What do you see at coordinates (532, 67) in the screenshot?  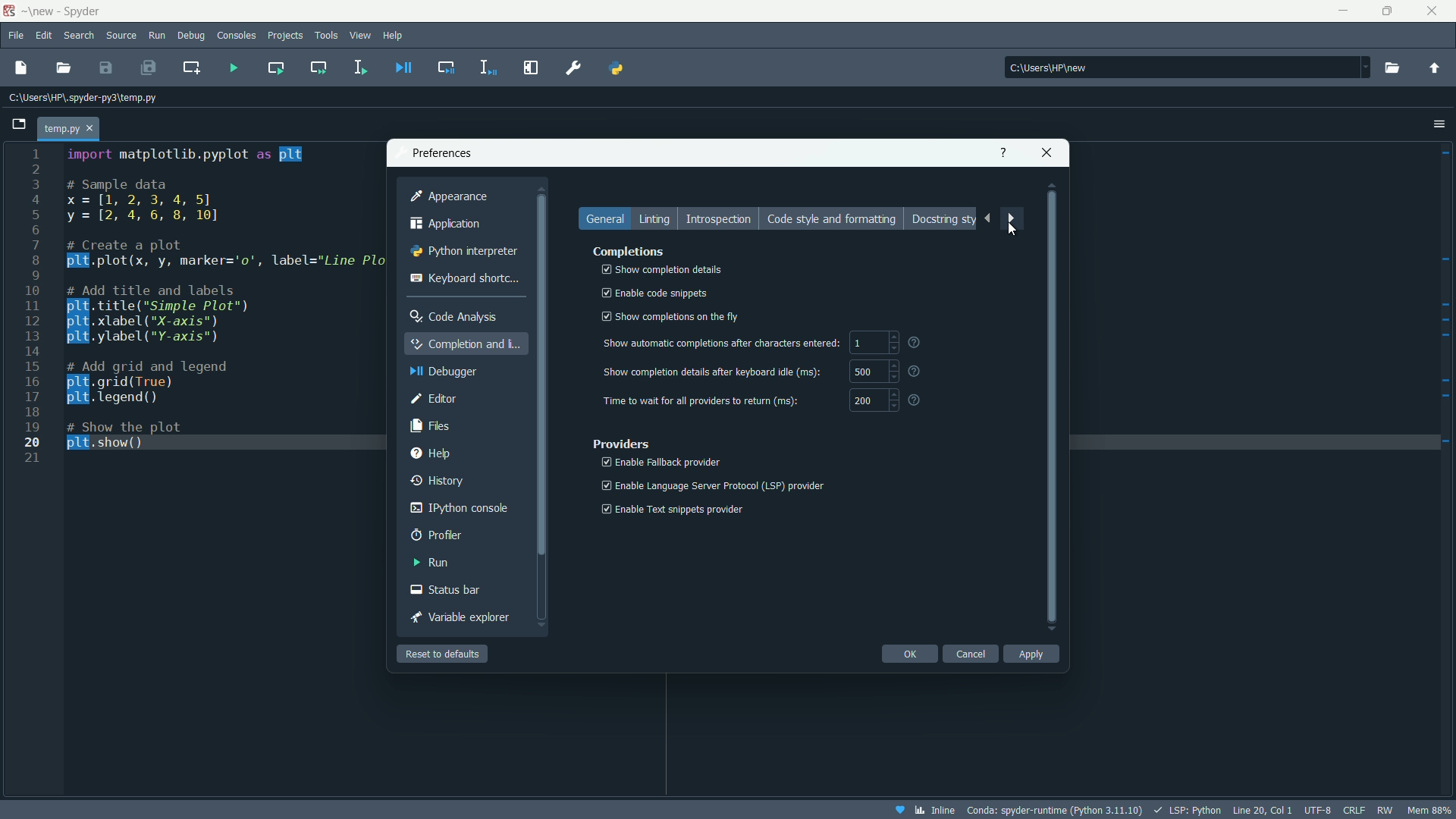 I see `maximize current pane` at bounding box center [532, 67].